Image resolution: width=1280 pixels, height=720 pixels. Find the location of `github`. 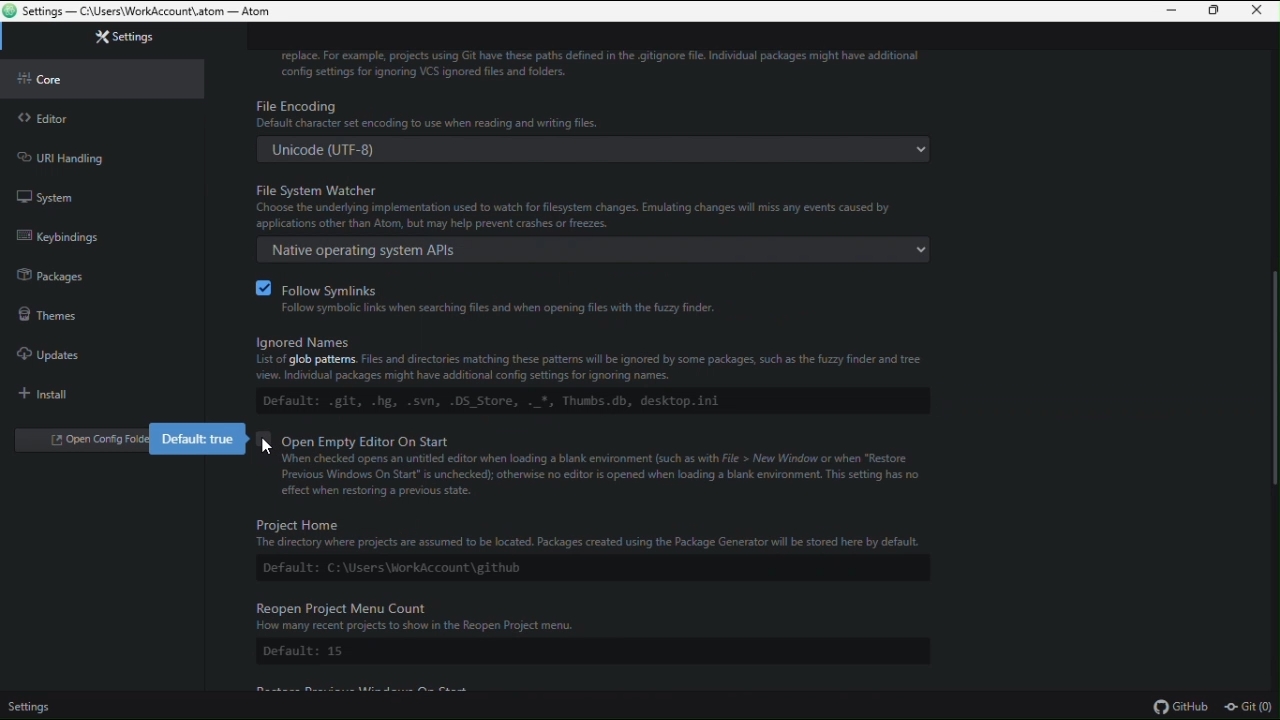

github is located at coordinates (1187, 708).